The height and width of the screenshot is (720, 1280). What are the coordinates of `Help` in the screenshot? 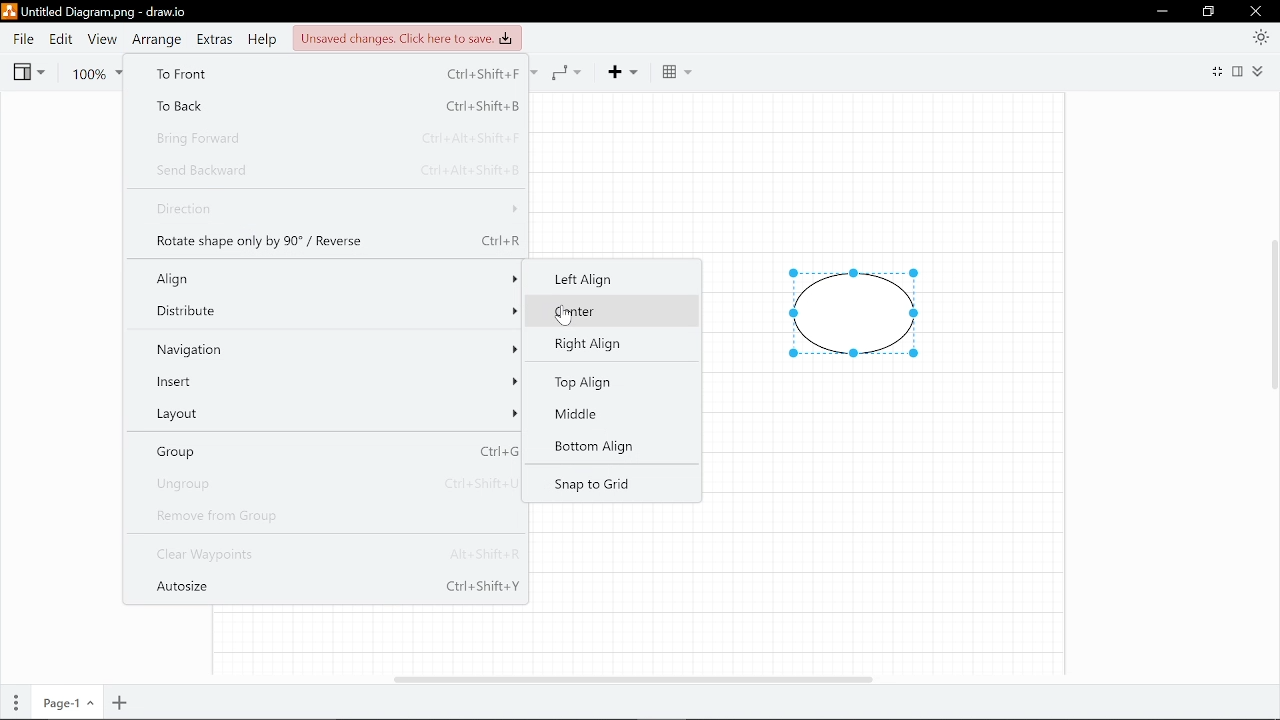 It's located at (261, 39).